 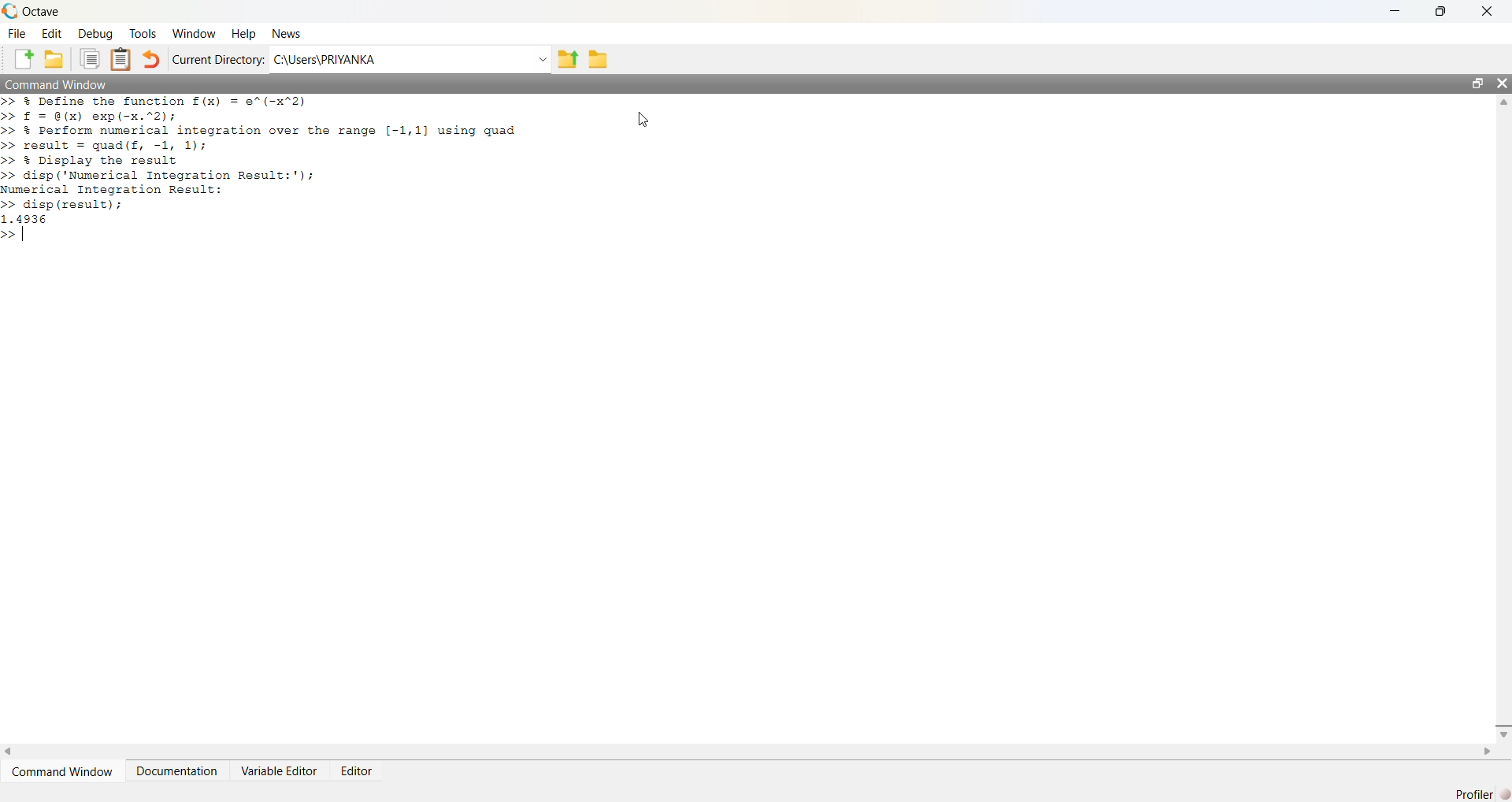 I want to click on Octave, so click(x=42, y=11).